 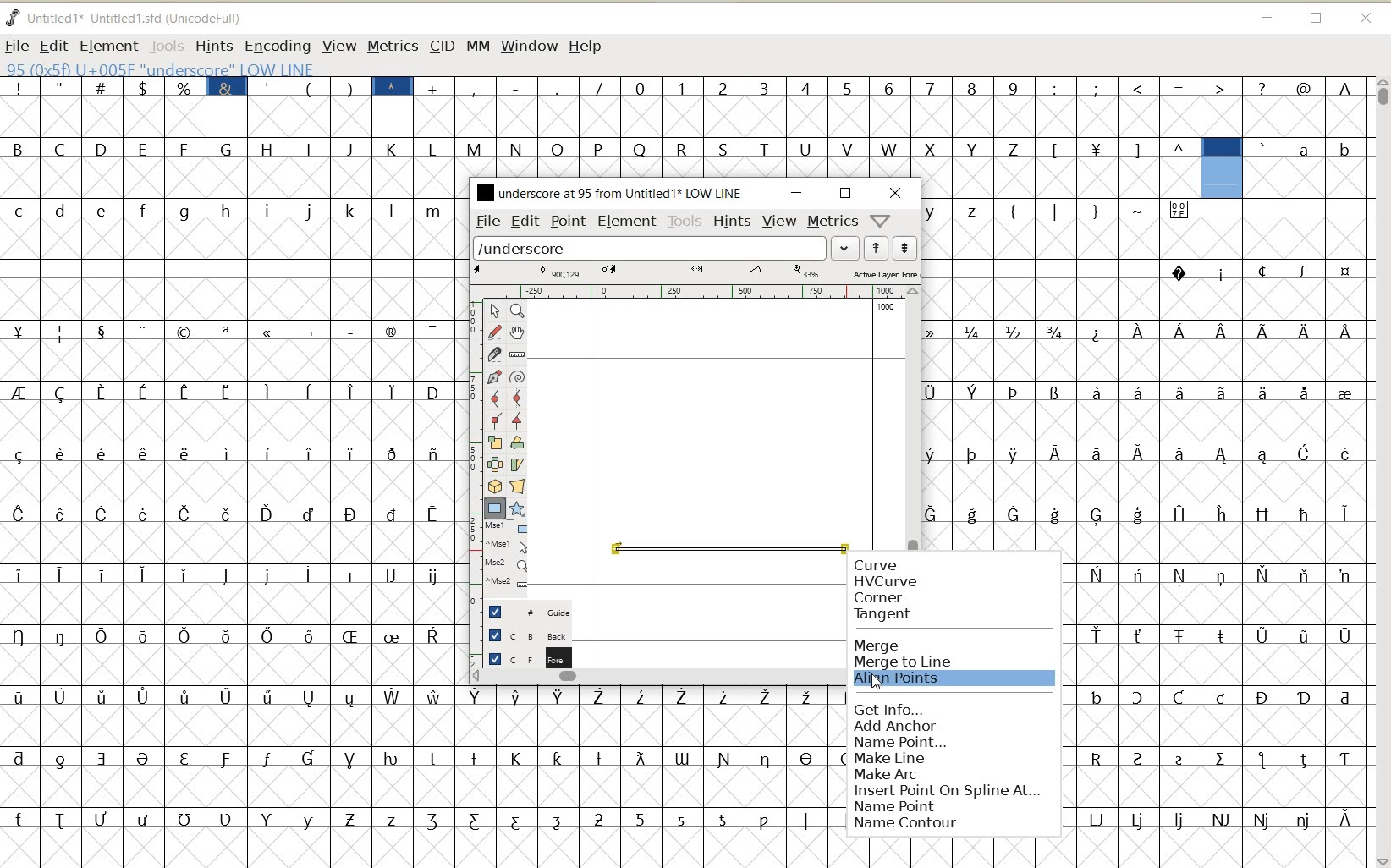 What do you see at coordinates (885, 615) in the screenshot?
I see `TANGENT` at bounding box center [885, 615].